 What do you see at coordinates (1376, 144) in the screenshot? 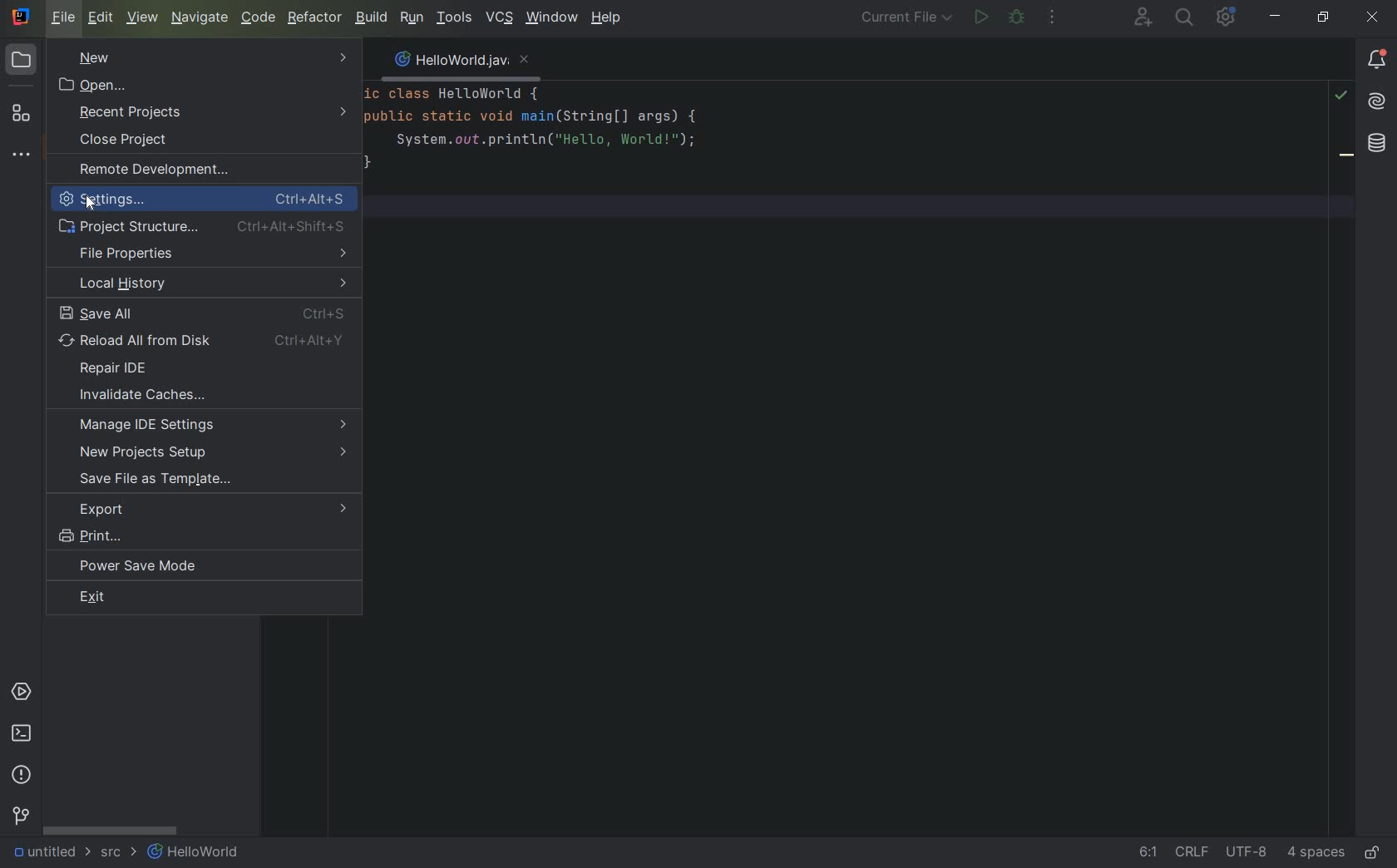
I see `database` at bounding box center [1376, 144].